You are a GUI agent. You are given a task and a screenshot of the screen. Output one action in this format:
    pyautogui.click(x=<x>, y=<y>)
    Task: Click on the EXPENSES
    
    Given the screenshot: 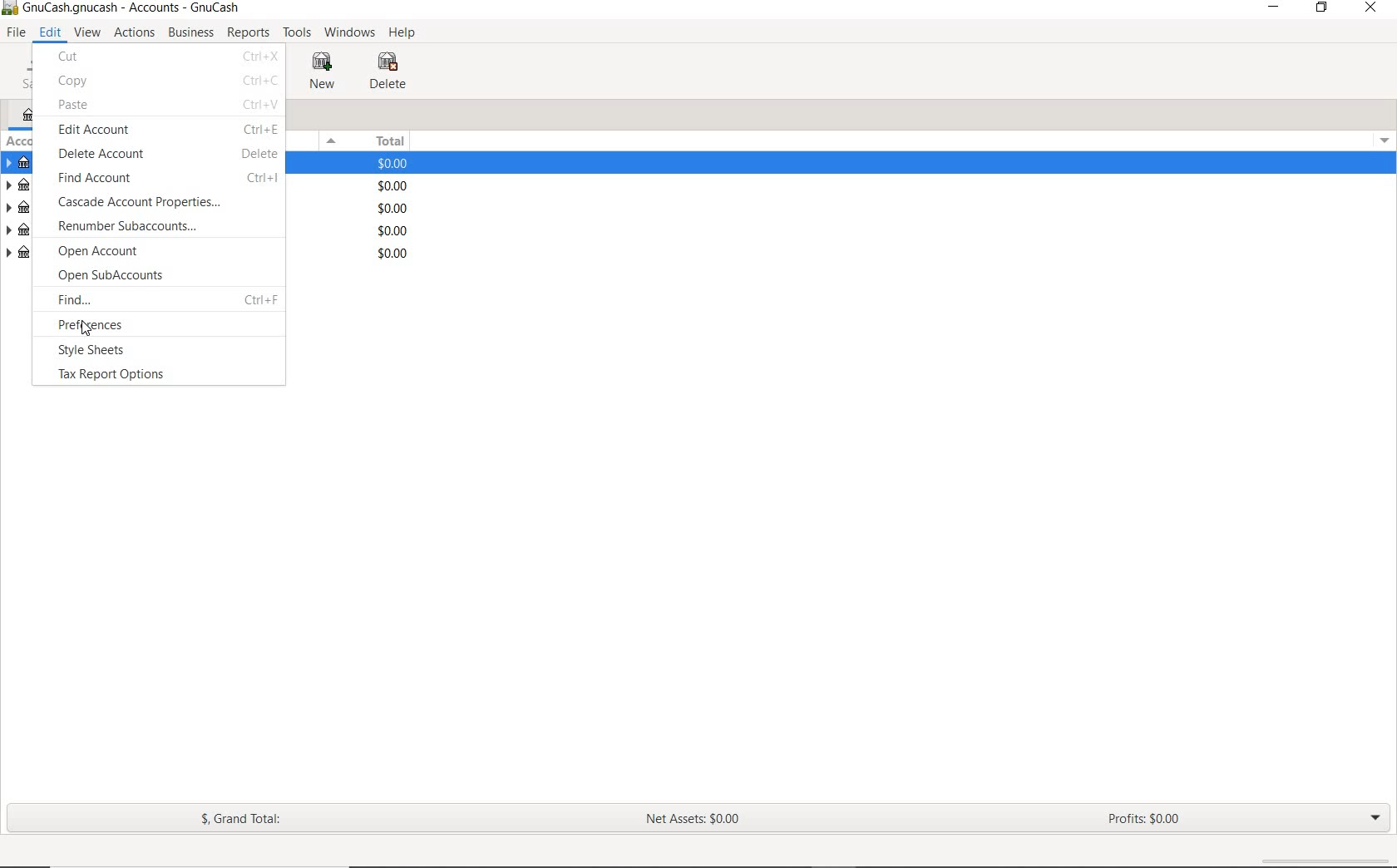 What is the action you would take?
    pyautogui.click(x=17, y=230)
    